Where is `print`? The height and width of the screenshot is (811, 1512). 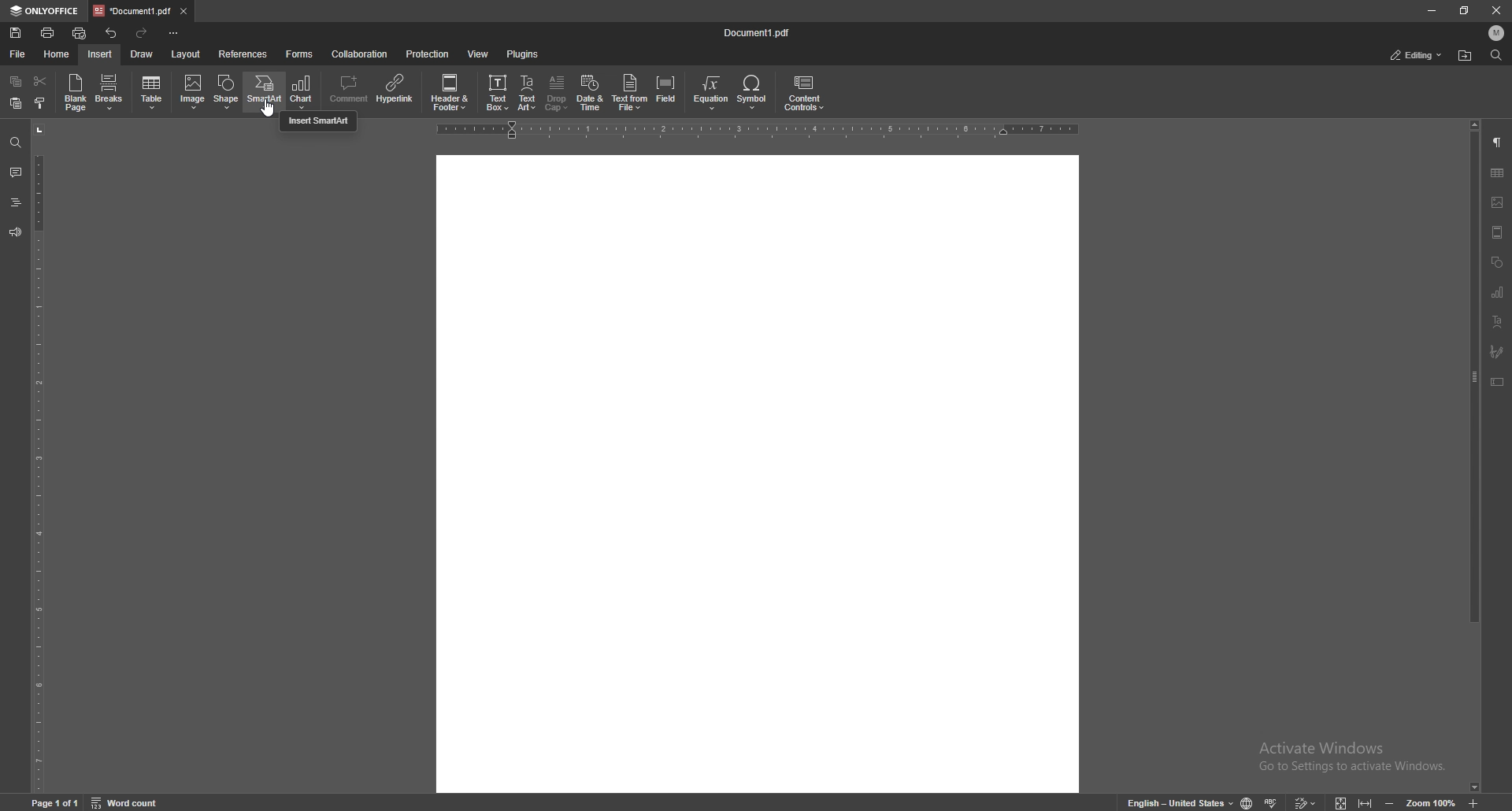 print is located at coordinates (49, 33).